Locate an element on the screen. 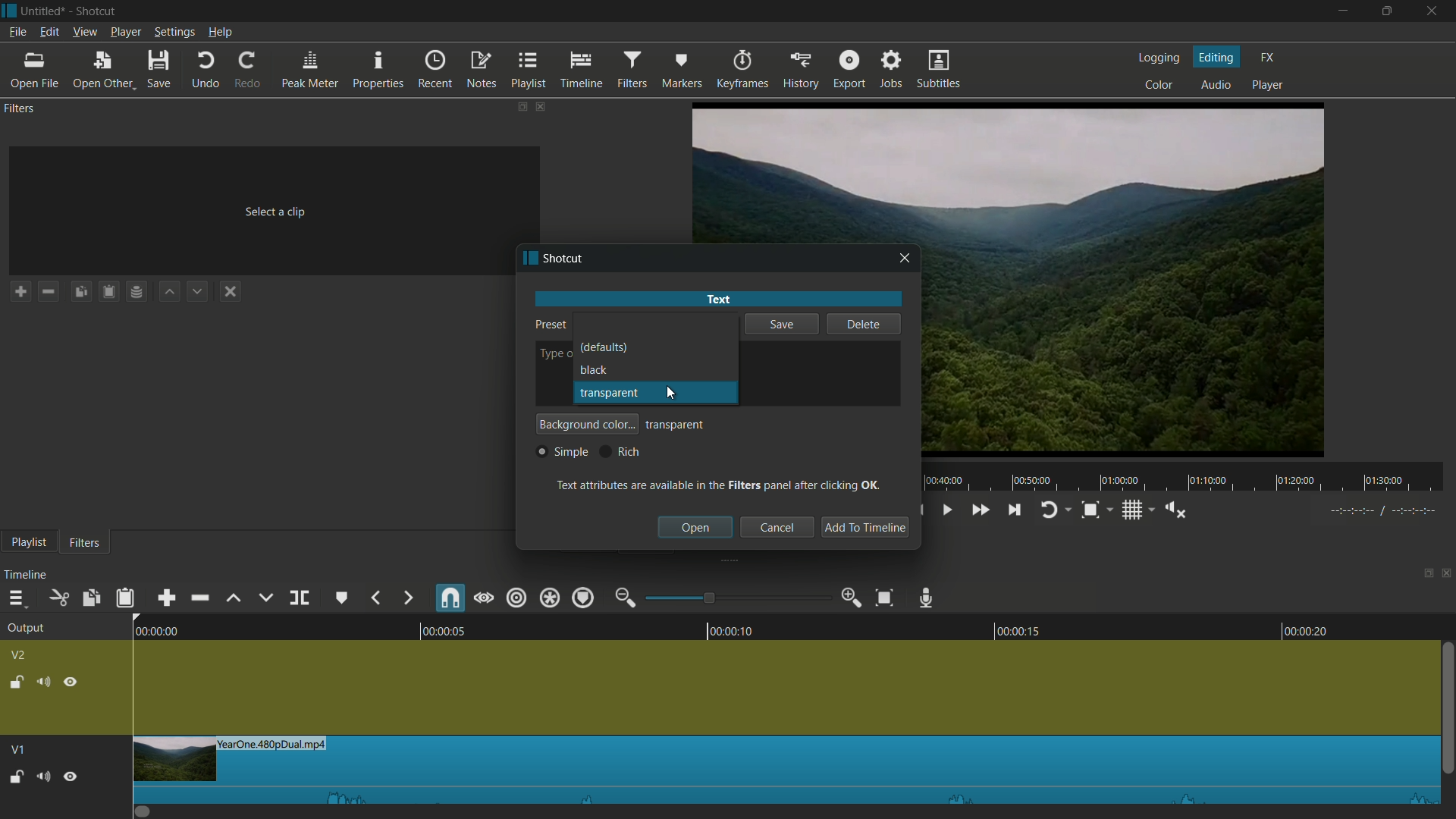 The height and width of the screenshot is (819, 1456). defaults is located at coordinates (604, 347).